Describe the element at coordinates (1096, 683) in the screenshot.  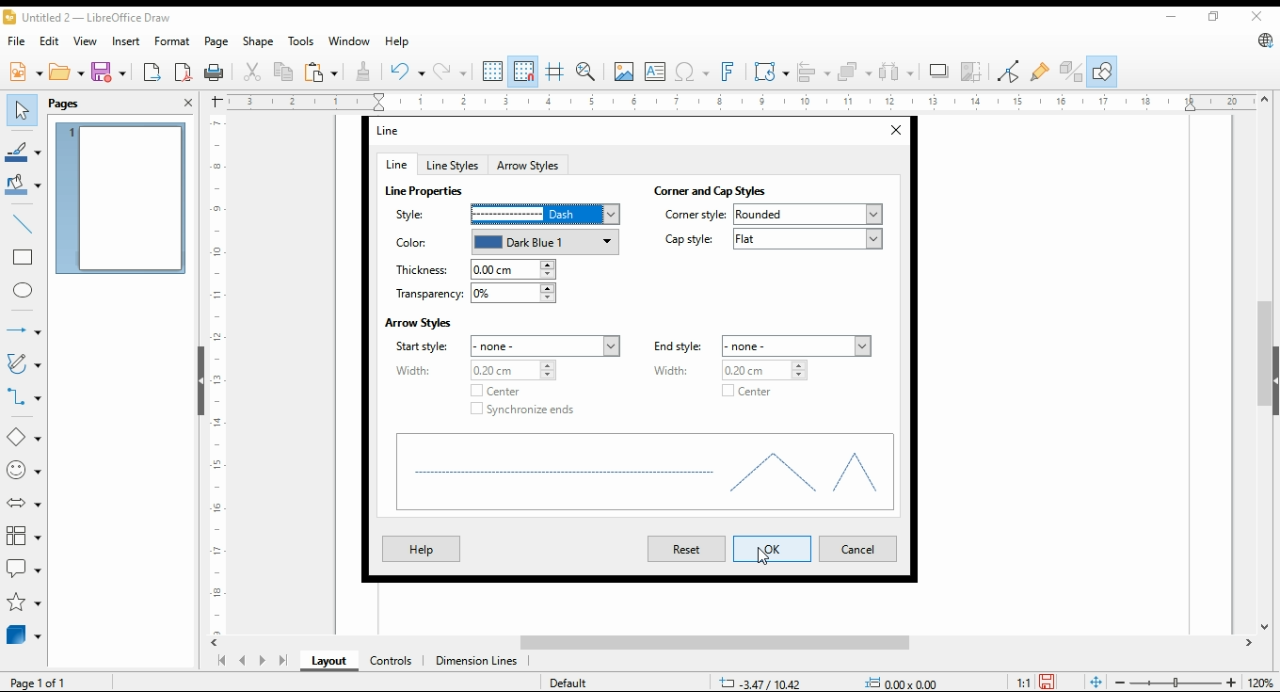
I see `fit page to window` at that location.